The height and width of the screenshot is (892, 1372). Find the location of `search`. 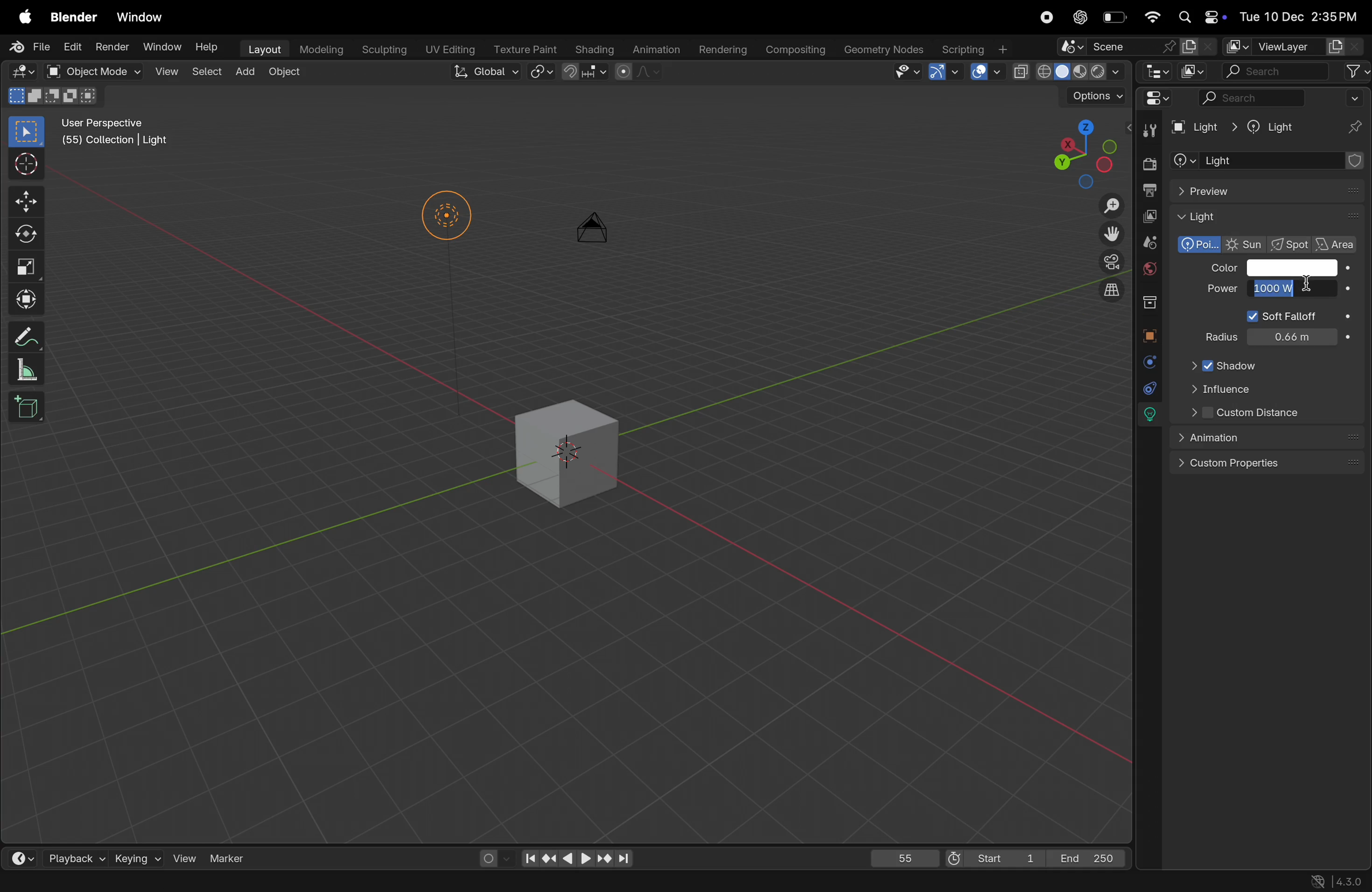

search is located at coordinates (1281, 98).